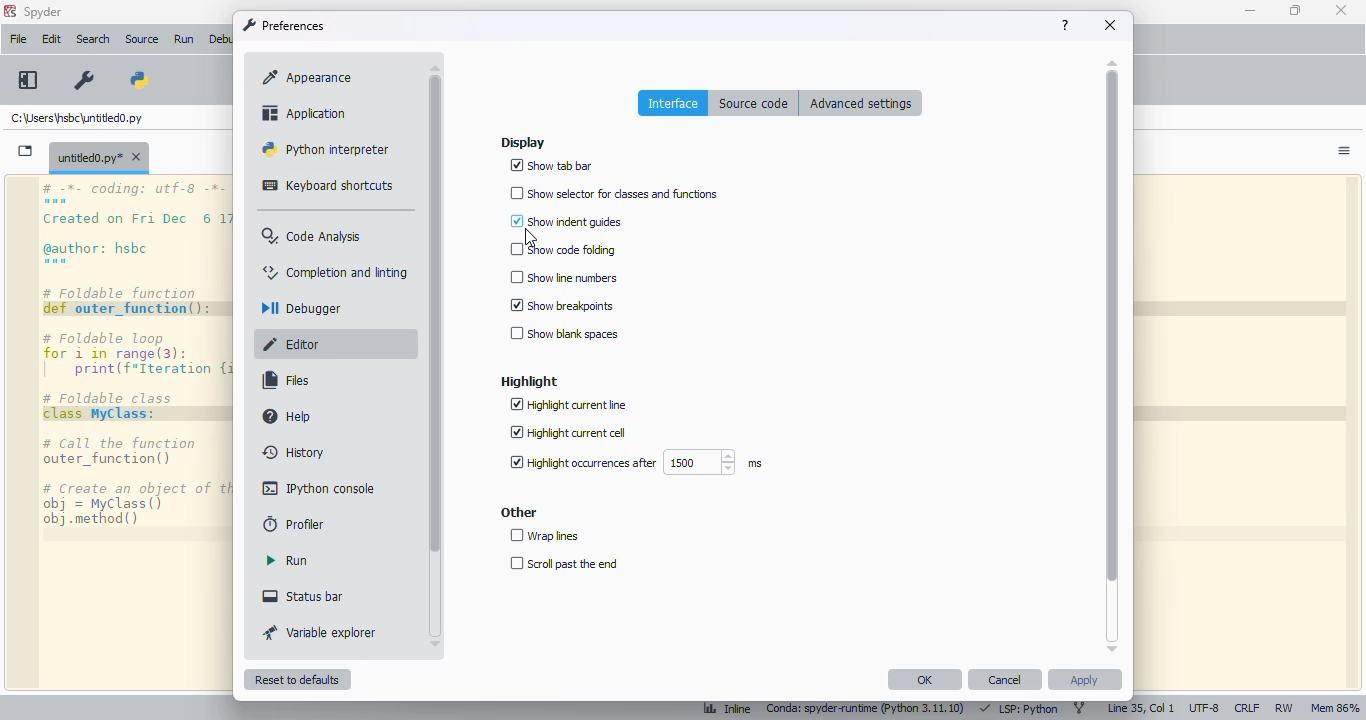  What do you see at coordinates (186, 41) in the screenshot?
I see `run` at bounding box center [186, 41].